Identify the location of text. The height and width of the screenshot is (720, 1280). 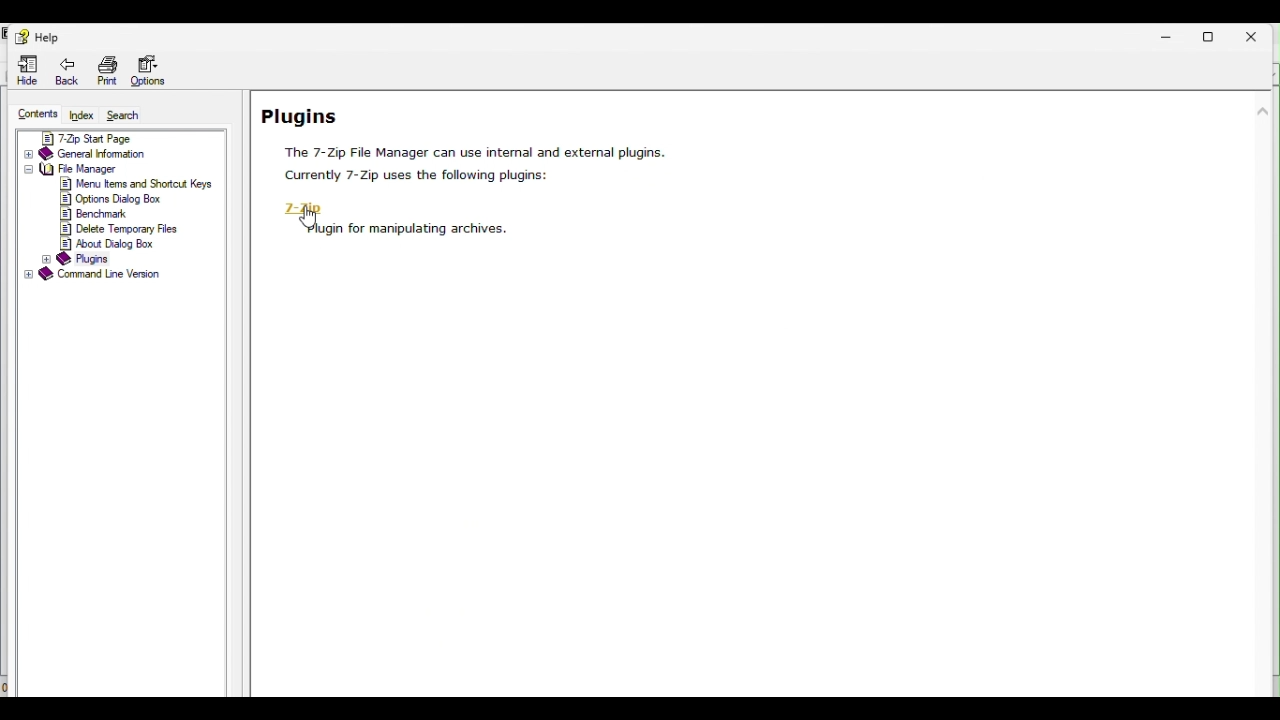
(419, 180).